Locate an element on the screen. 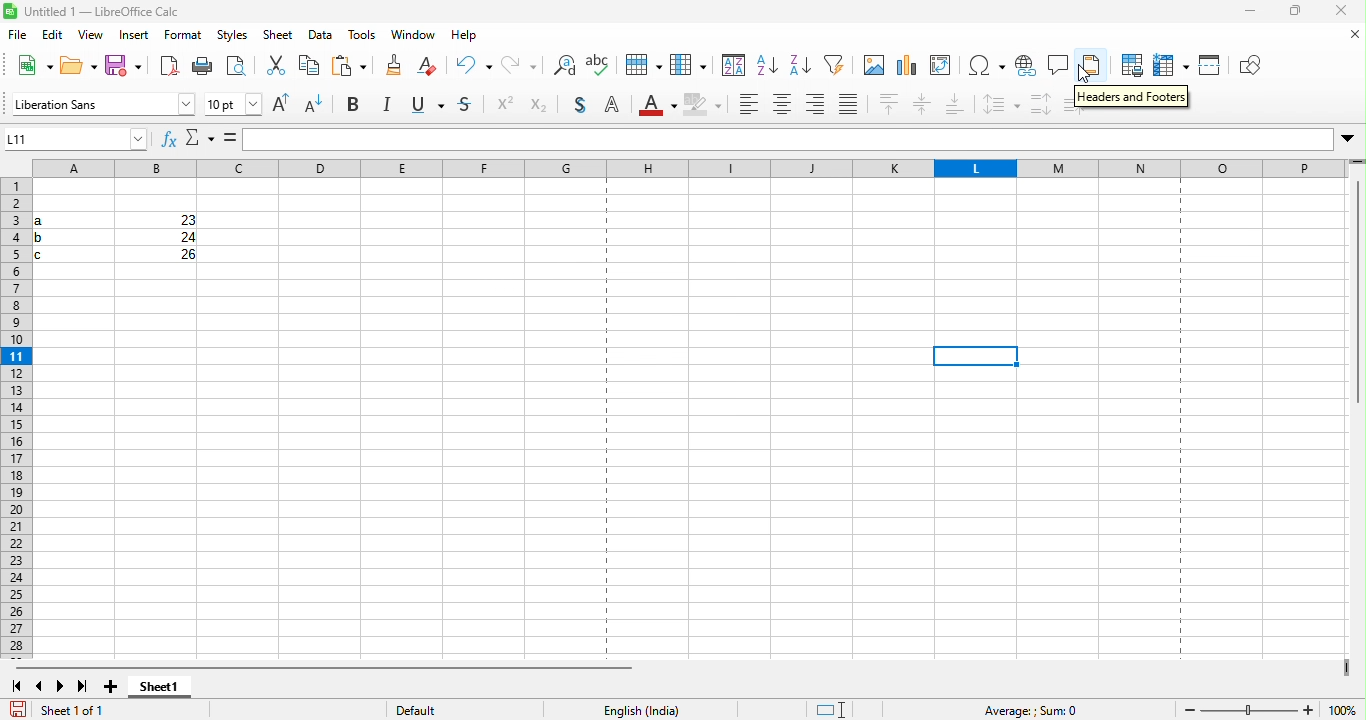 The image size is (1366, 720). styles is located at coordinates (228, 39).